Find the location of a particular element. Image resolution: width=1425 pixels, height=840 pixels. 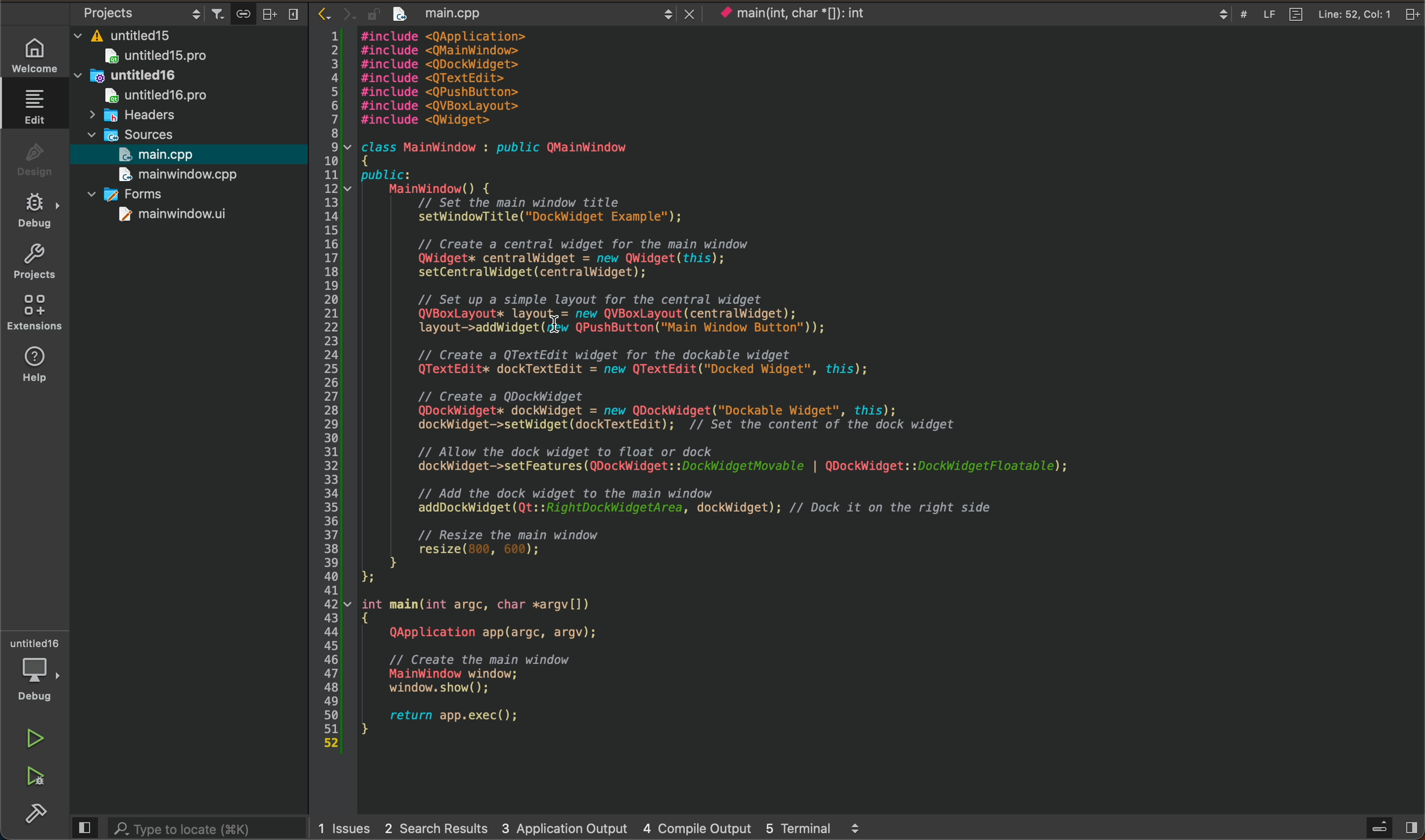

design is located at coordinates (33, 156).